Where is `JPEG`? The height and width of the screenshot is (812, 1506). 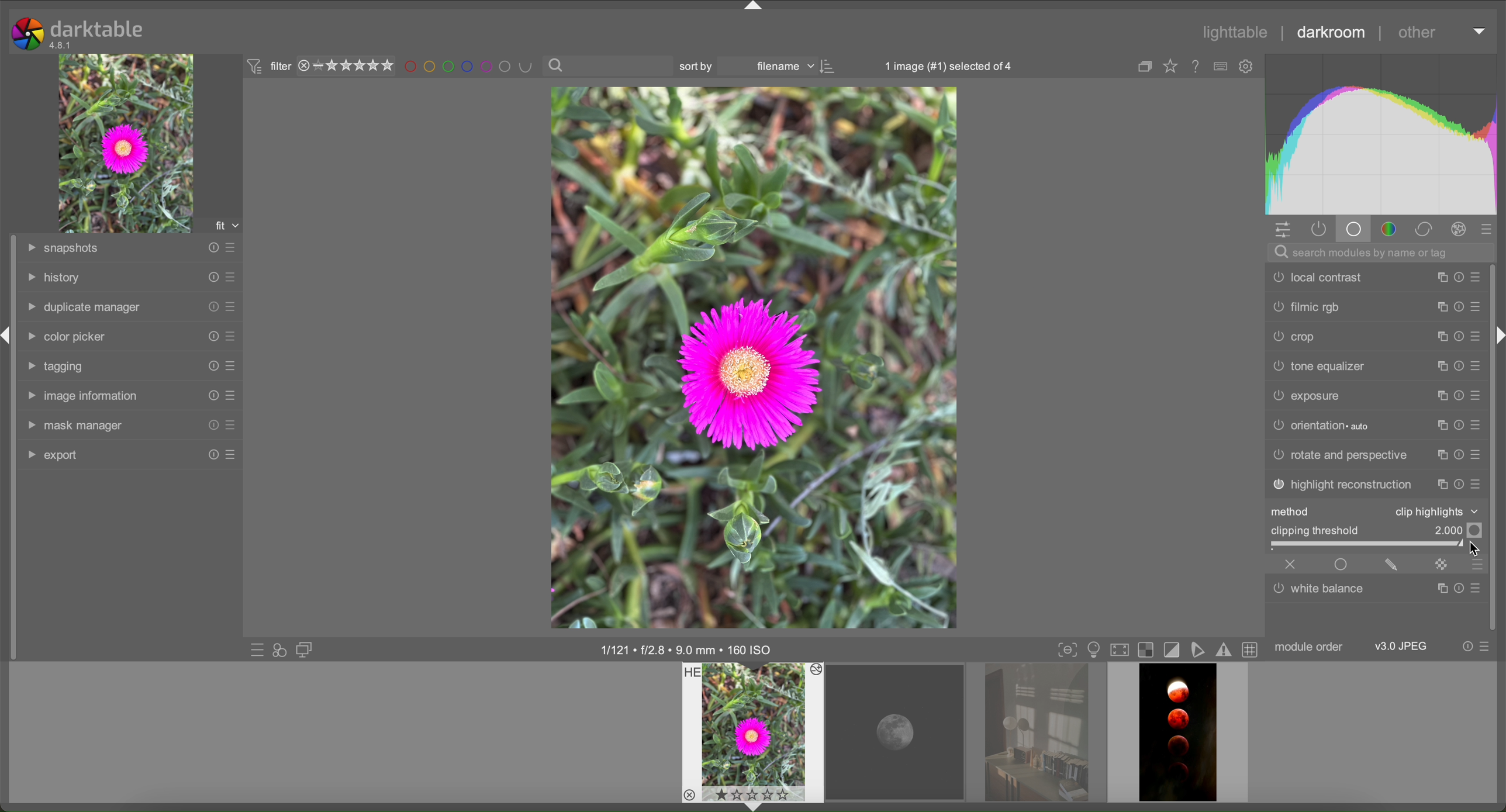 JPEG is located at coordinates (1403, 646).